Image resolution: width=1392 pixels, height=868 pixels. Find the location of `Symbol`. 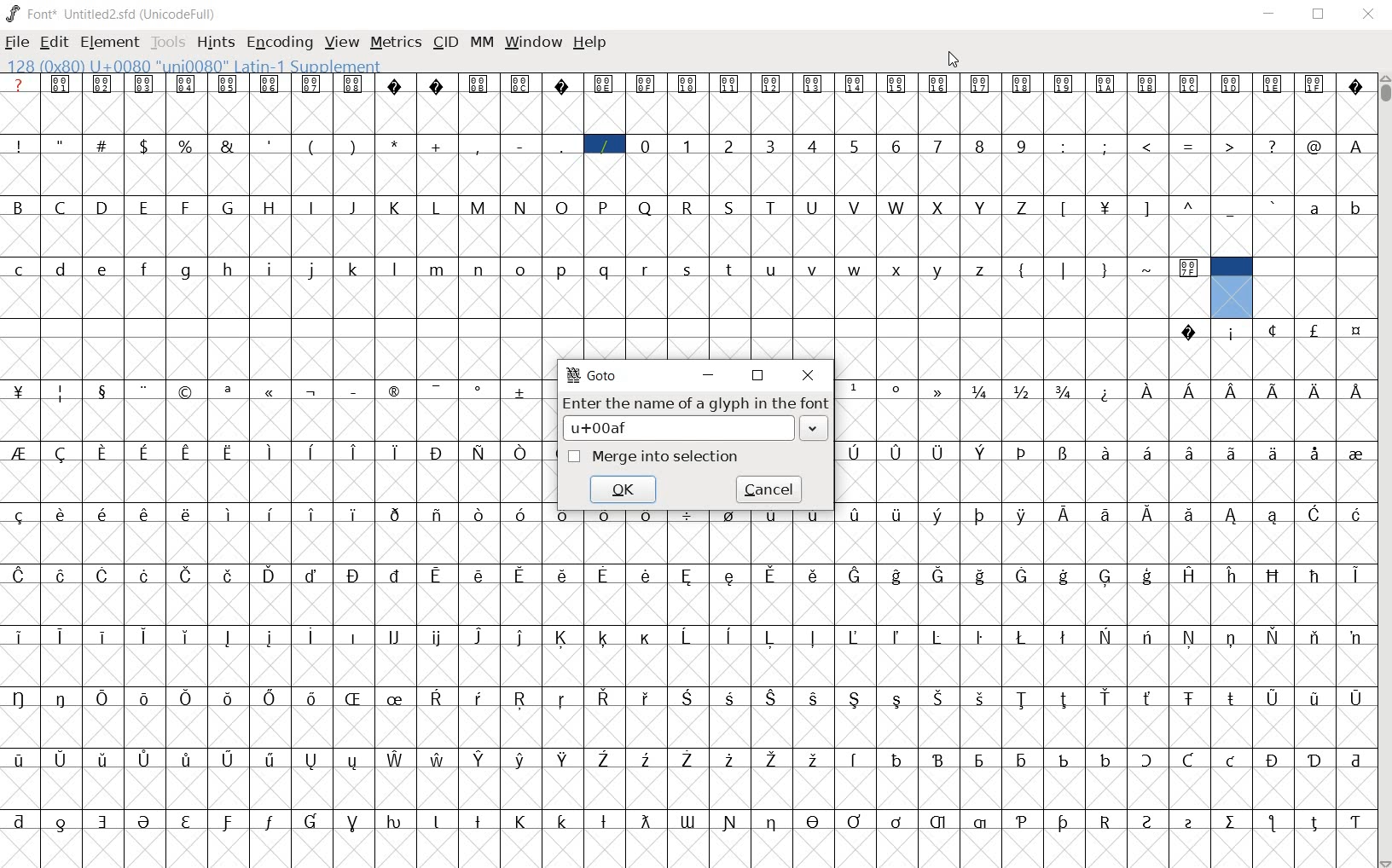

Symbol is located at coordinates (983, 391).